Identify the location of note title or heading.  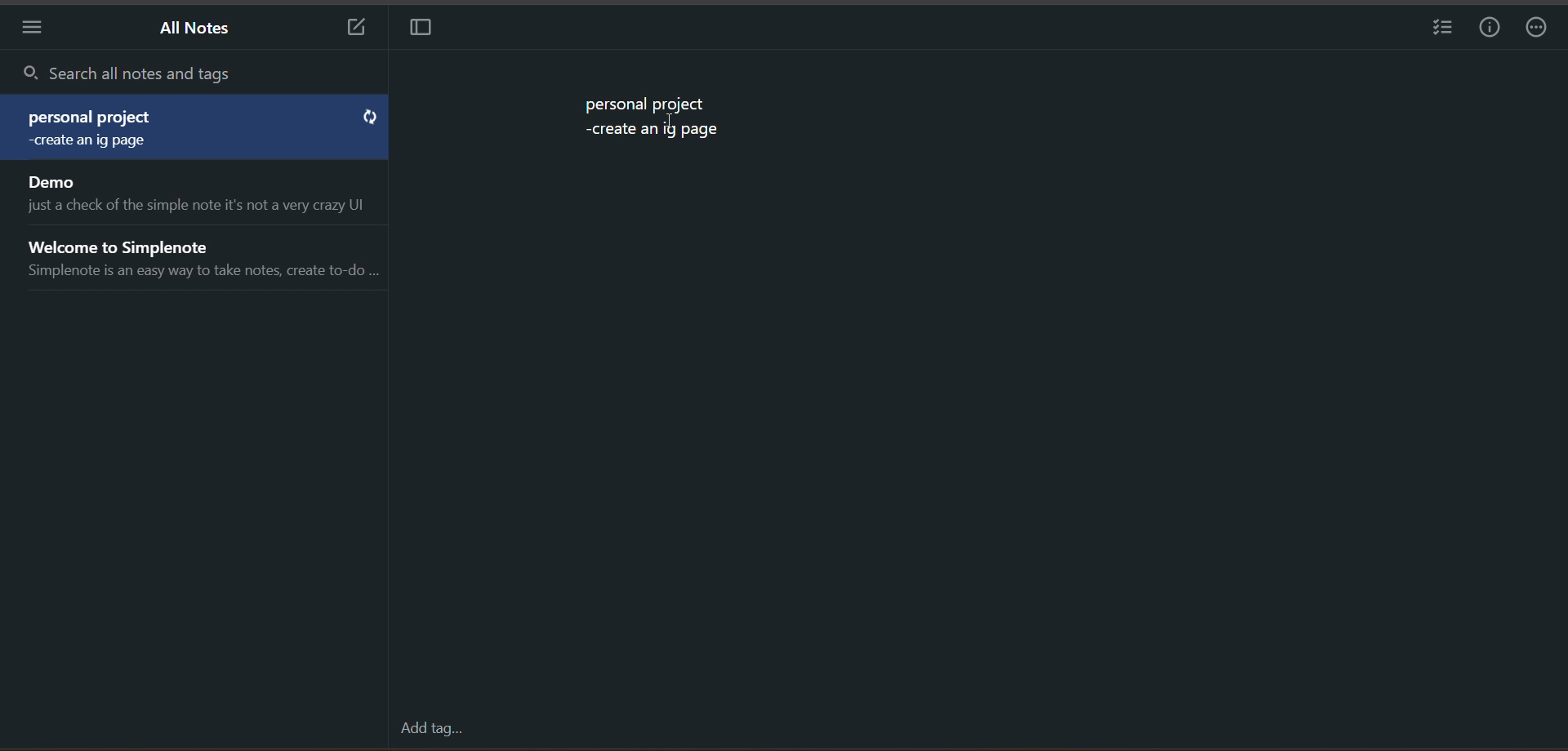
(91, 118).